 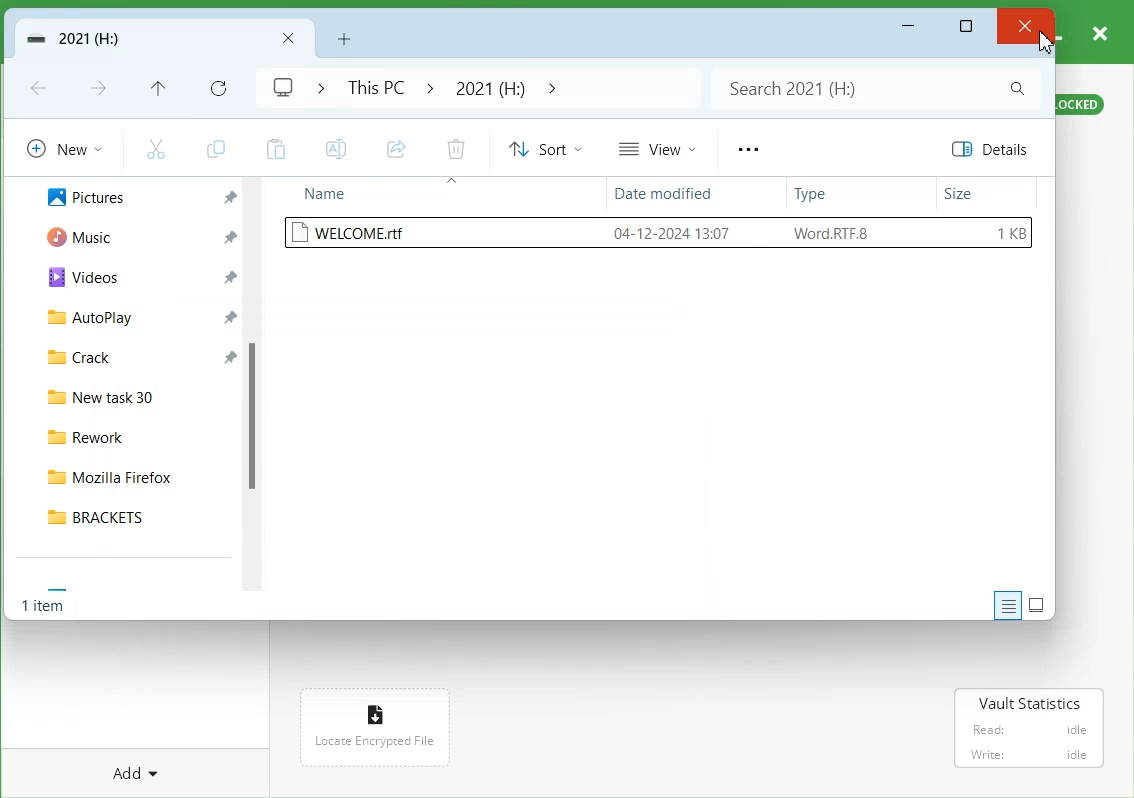 What do you see at coordinates (290, 40) in the screenshot?
I see `Close Folder` at bounding box center [290, 40].